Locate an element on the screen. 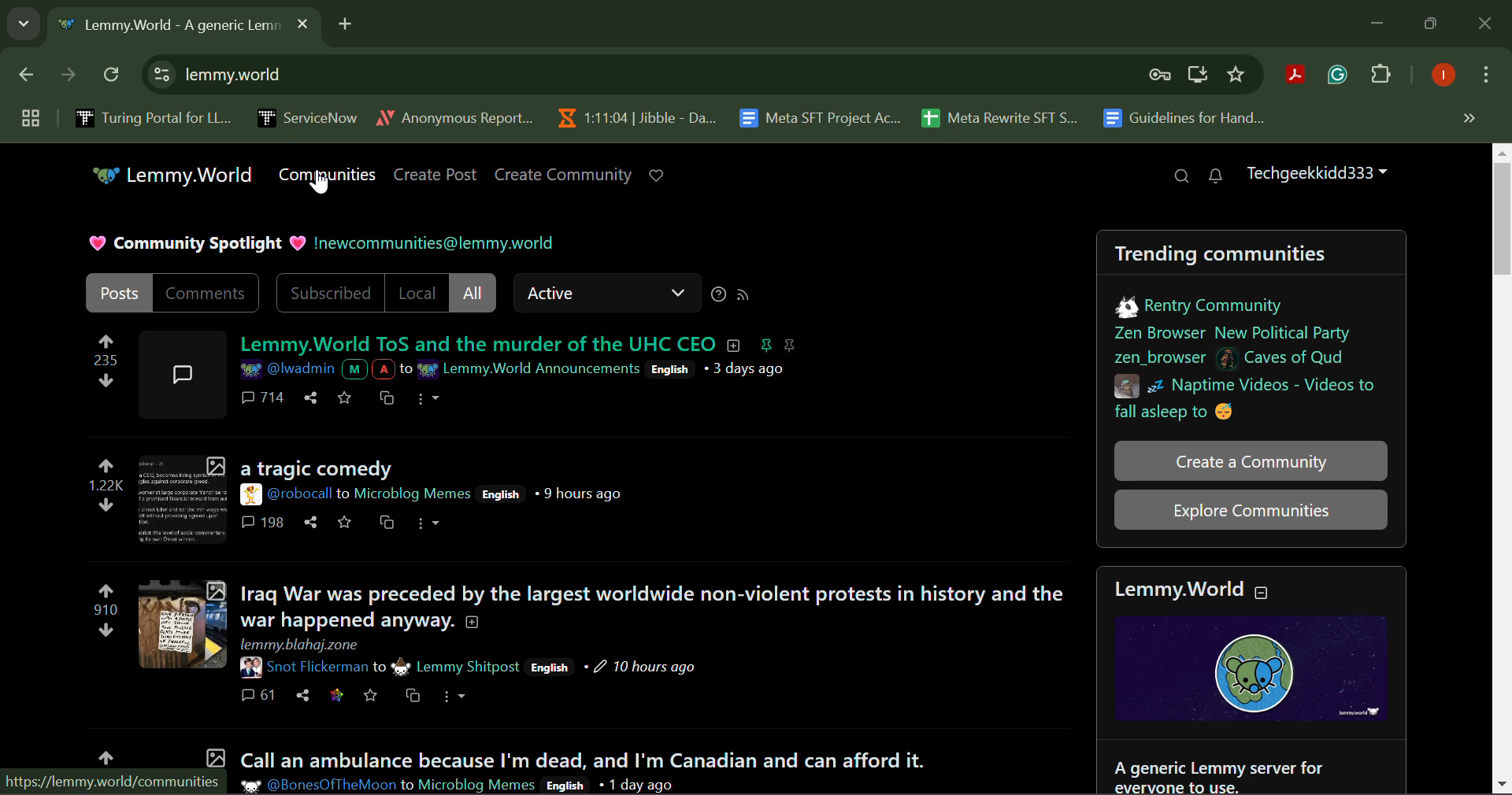 The image size is (1512, 795). English is located at coordinates (550, 666).